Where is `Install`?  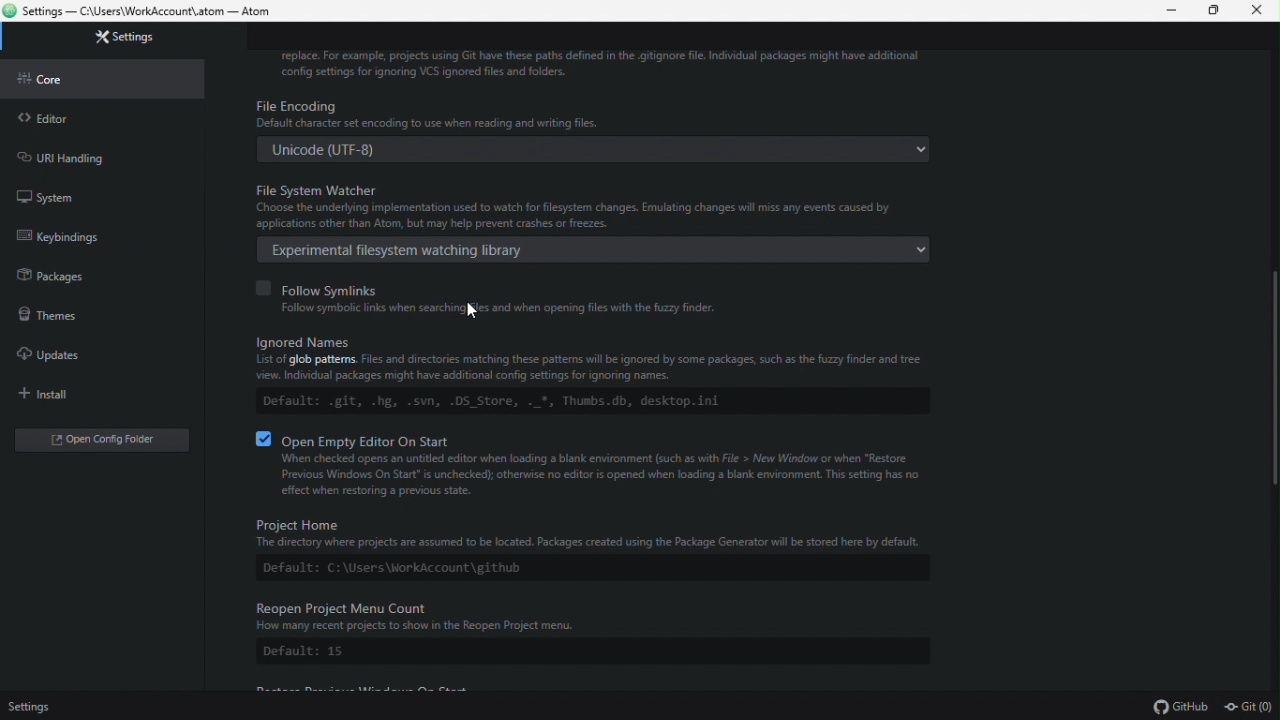 Install is located at coordinates (53, 394).